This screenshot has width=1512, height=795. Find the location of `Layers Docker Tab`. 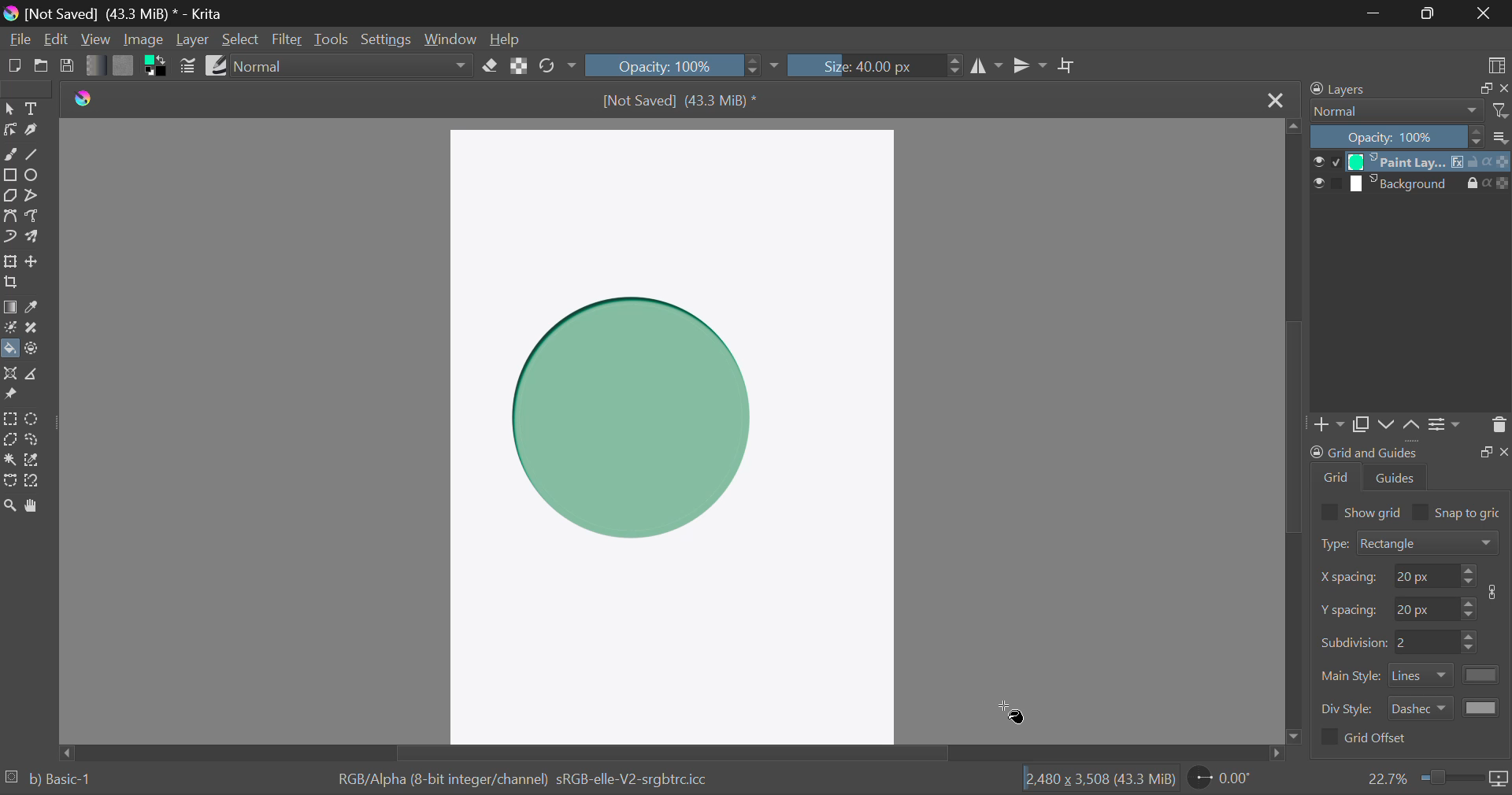

Layers Docker Tab is located at coordinates (1405, 91).